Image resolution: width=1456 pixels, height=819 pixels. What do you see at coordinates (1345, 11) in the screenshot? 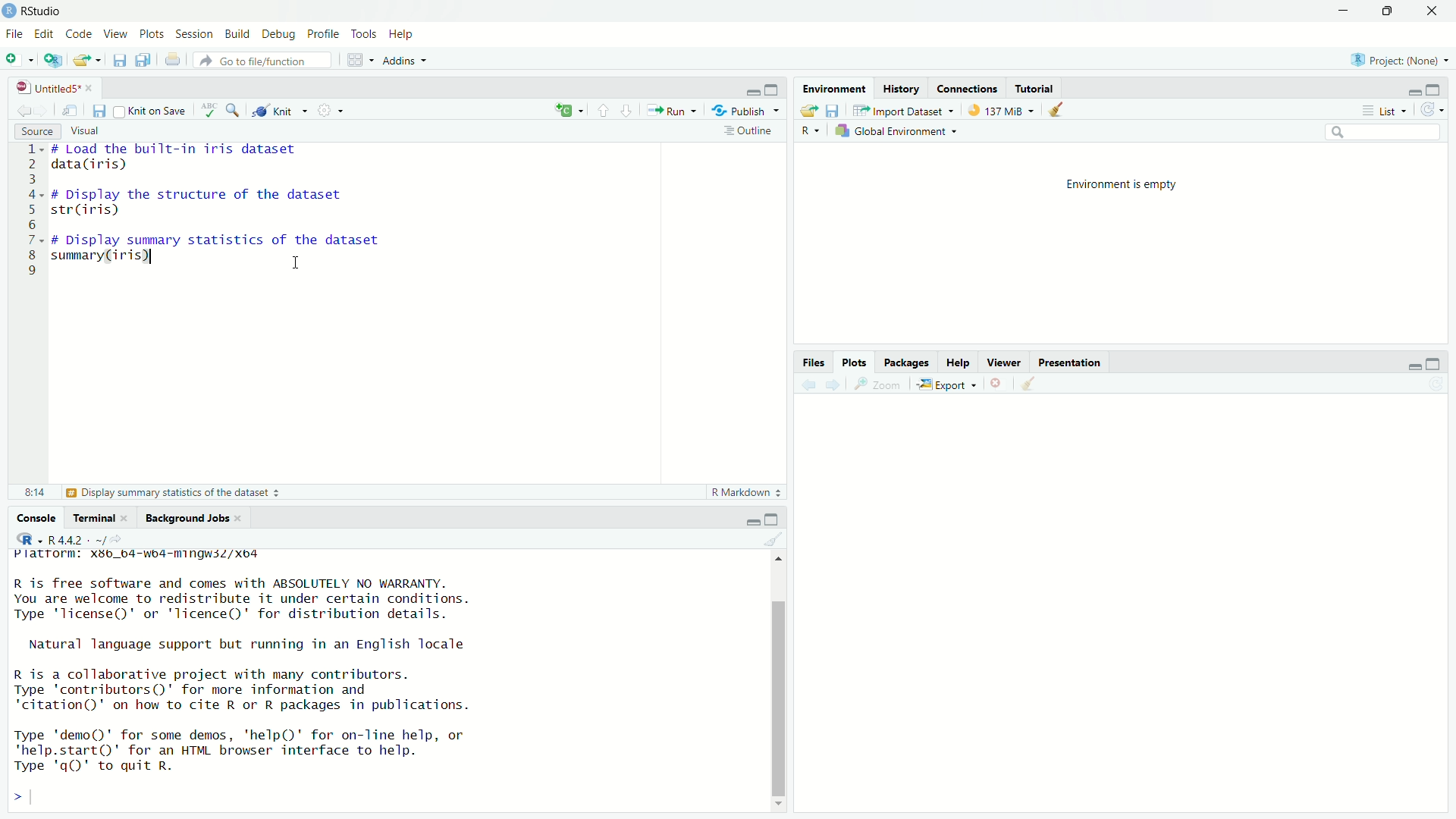
I see `Minimize` at bounding box center [1345, 11].